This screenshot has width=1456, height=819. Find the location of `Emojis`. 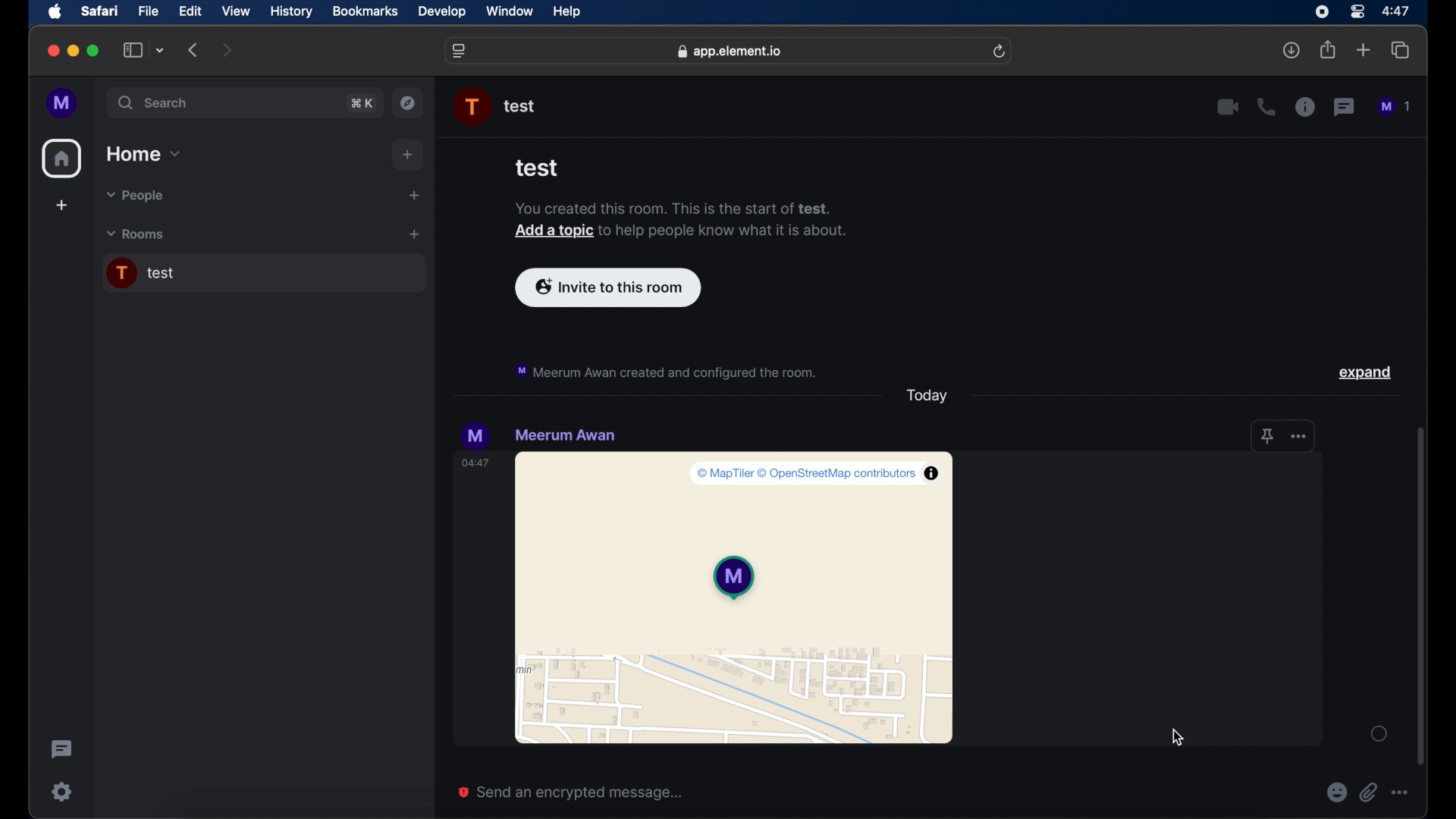

Emojis is located at coordinates (1336, 792).